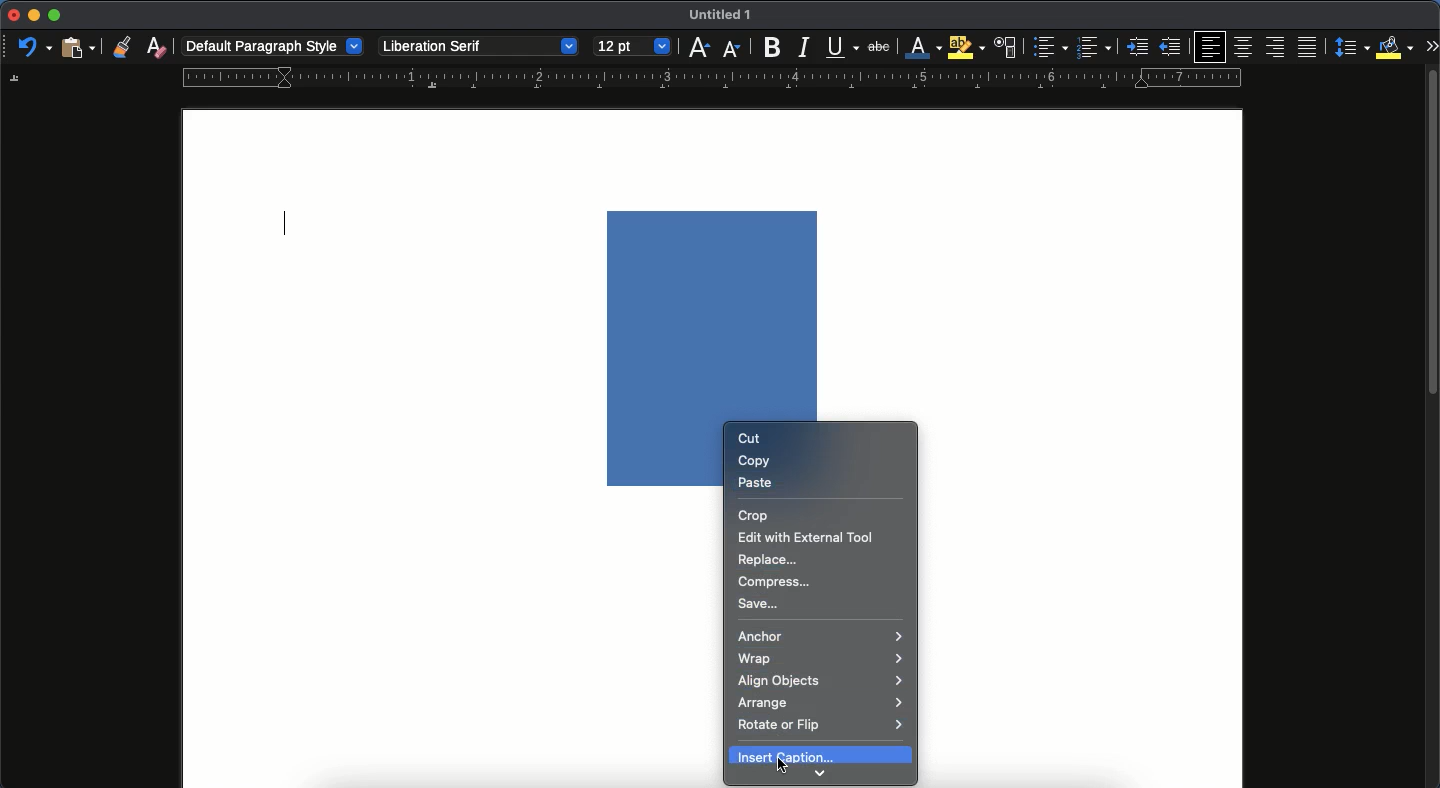  Describe the element at coordinates (1309, 46) in the screenshot. I see `justification ` at that location.